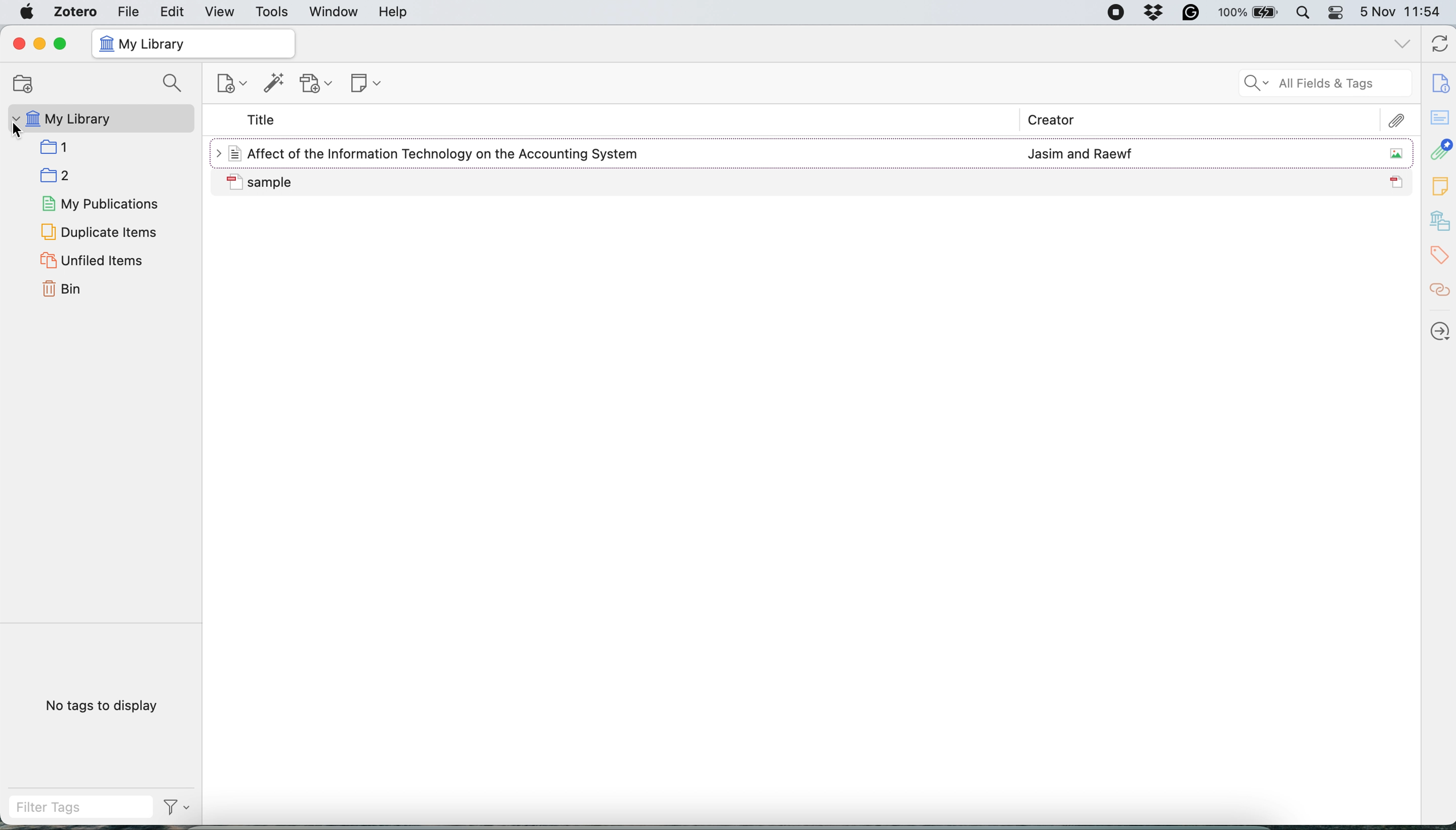  I want to click on list all tabs, so click(1405, 46).